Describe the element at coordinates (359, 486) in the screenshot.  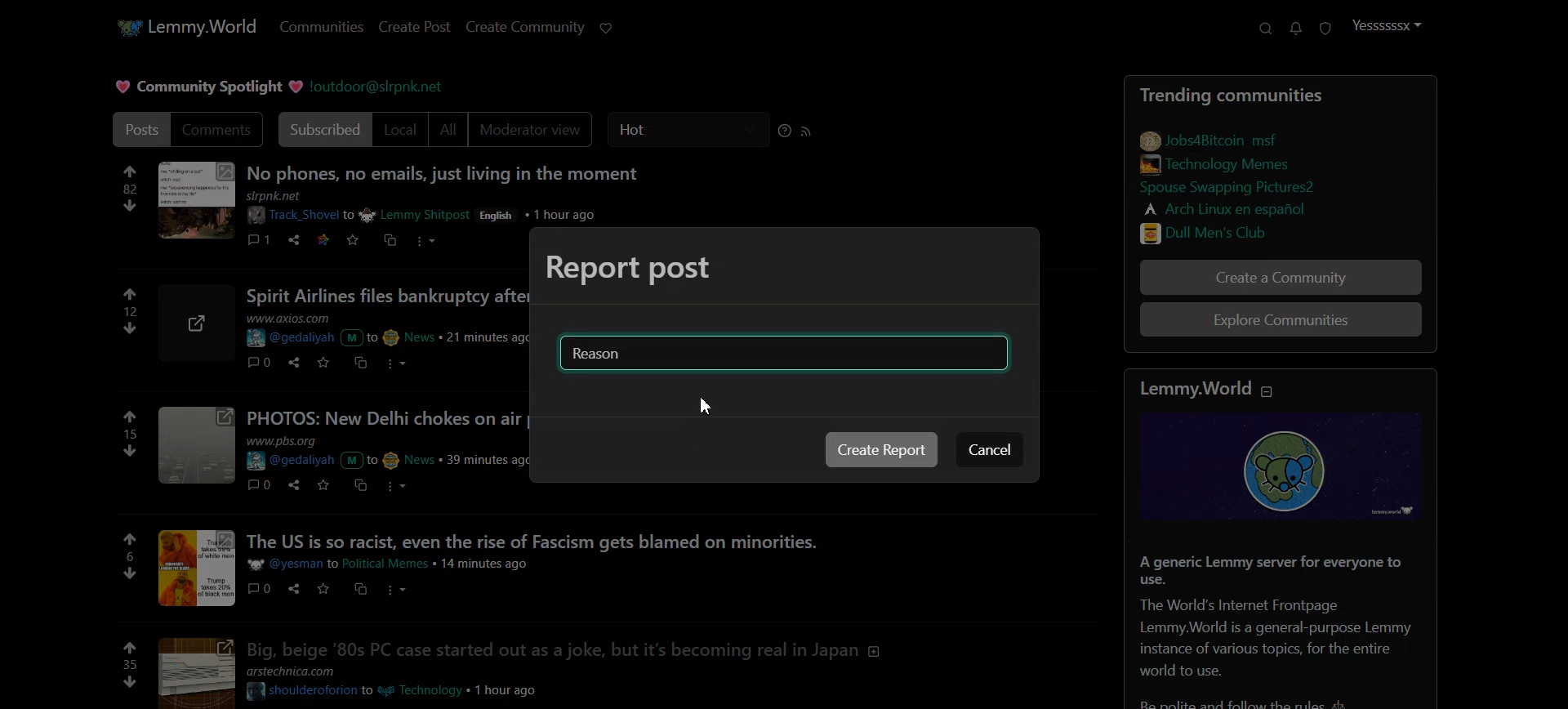
I see `cross post` at that location.